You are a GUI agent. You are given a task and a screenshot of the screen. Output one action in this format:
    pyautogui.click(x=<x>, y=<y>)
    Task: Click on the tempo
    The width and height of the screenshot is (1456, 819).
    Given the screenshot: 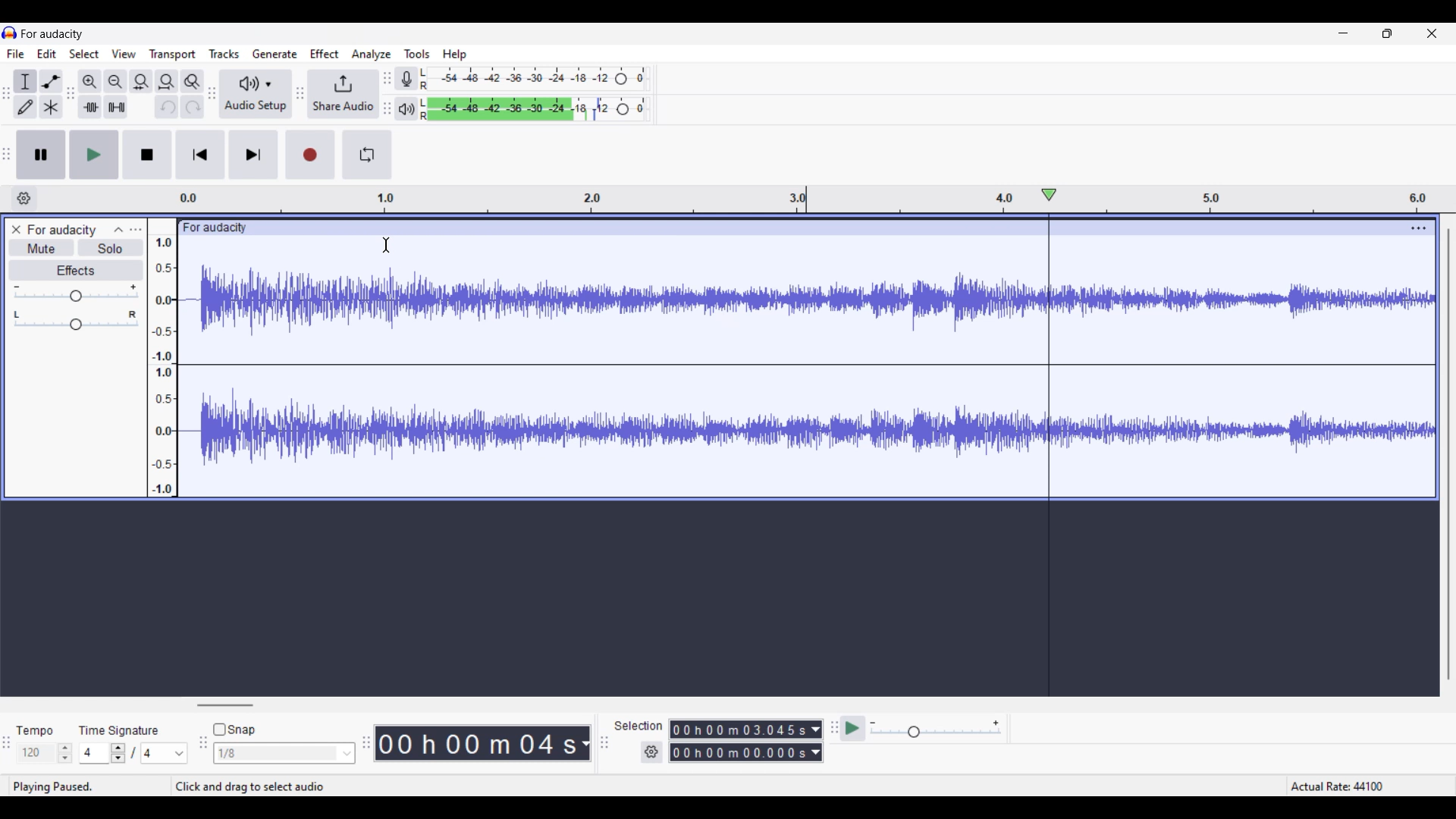 What is the action you would take?
    pyautogui.click(x=35, y=731)
    